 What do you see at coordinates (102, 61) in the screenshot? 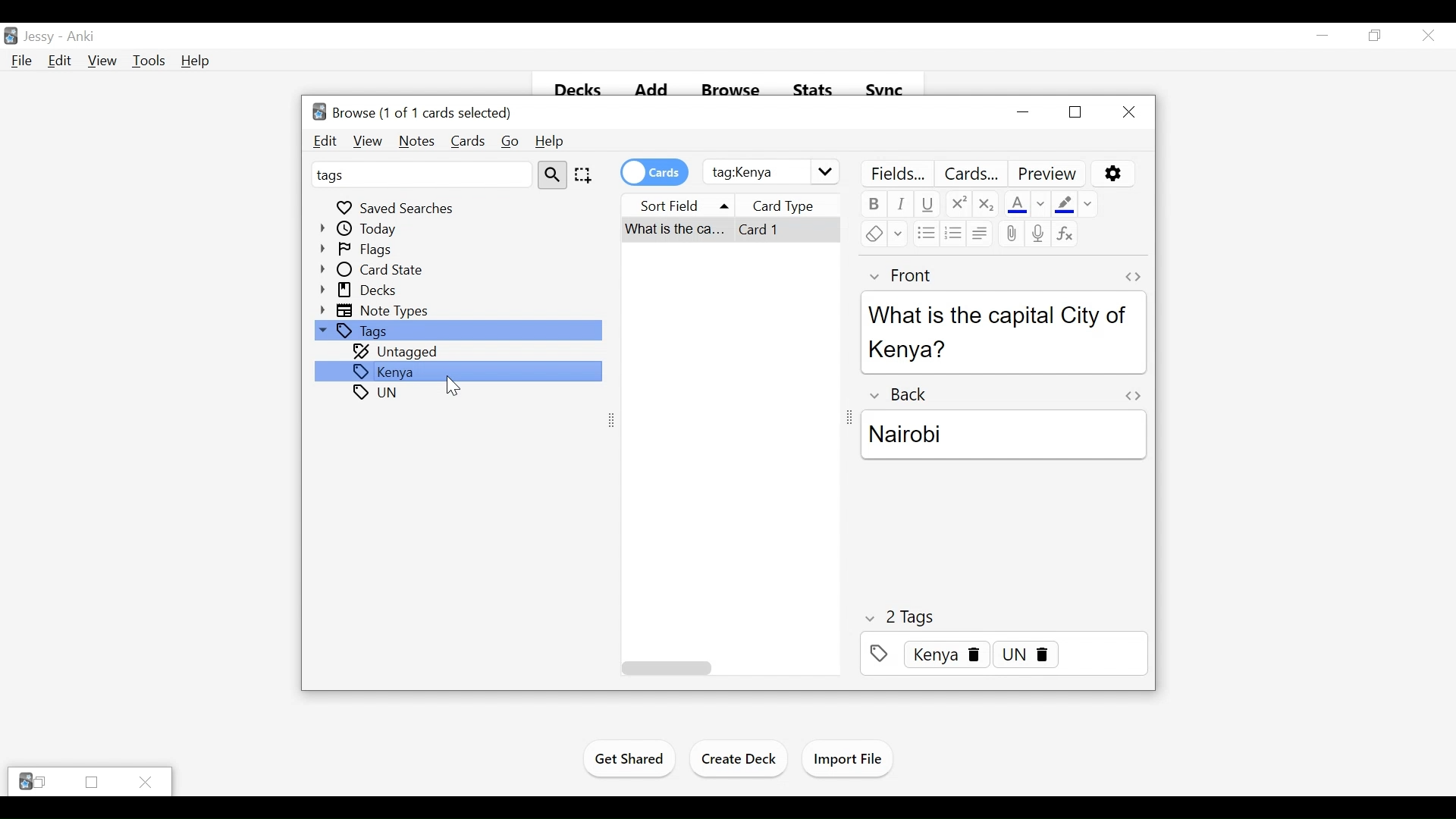
I see `View` at bounding box center [102, 61].